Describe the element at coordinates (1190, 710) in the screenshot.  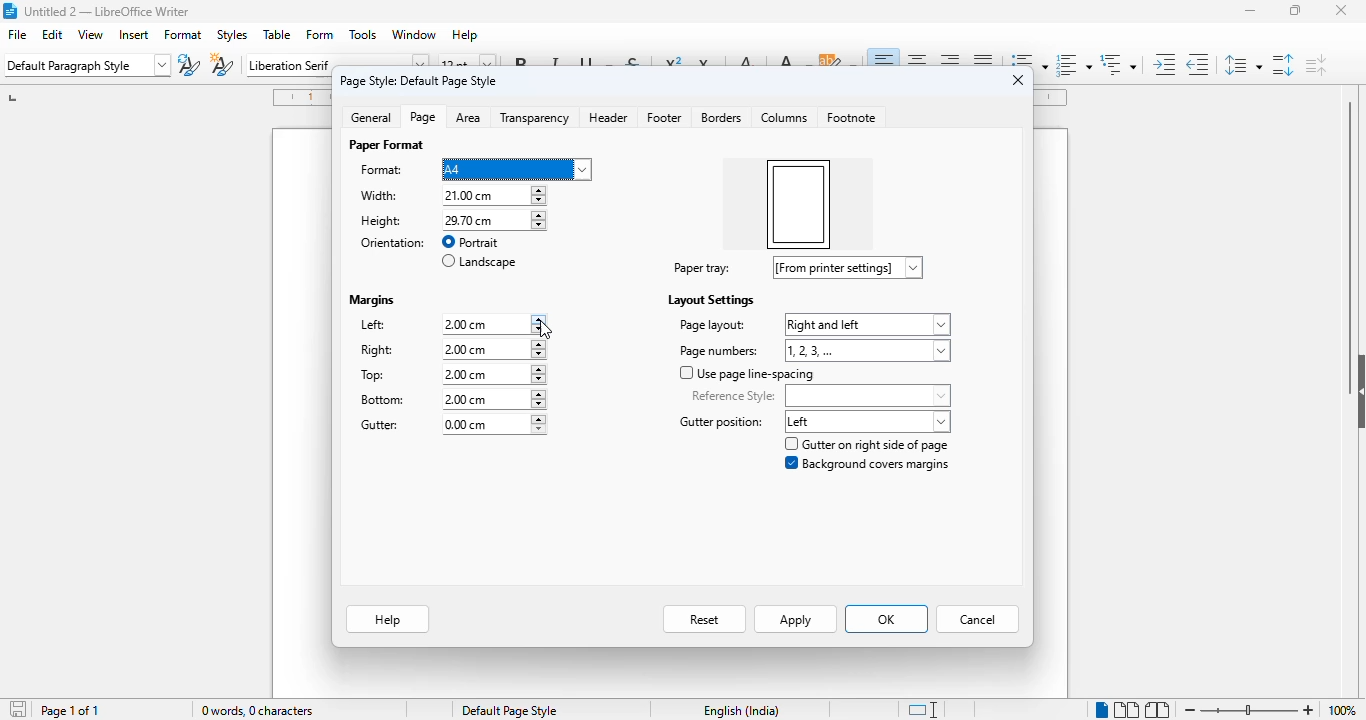
I see `zoom out` at that location.